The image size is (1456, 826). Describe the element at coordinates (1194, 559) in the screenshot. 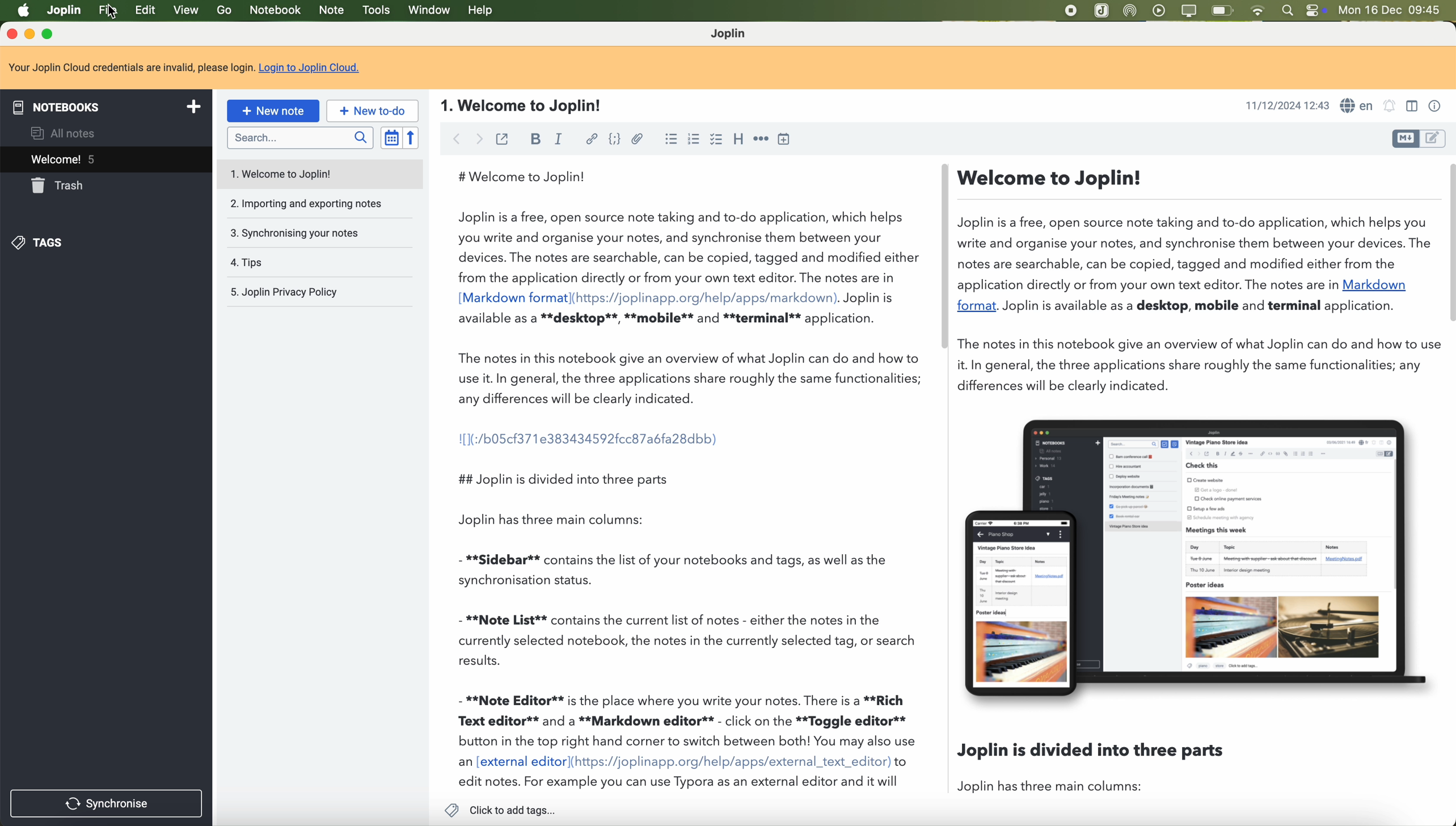

I see `image` at that location.